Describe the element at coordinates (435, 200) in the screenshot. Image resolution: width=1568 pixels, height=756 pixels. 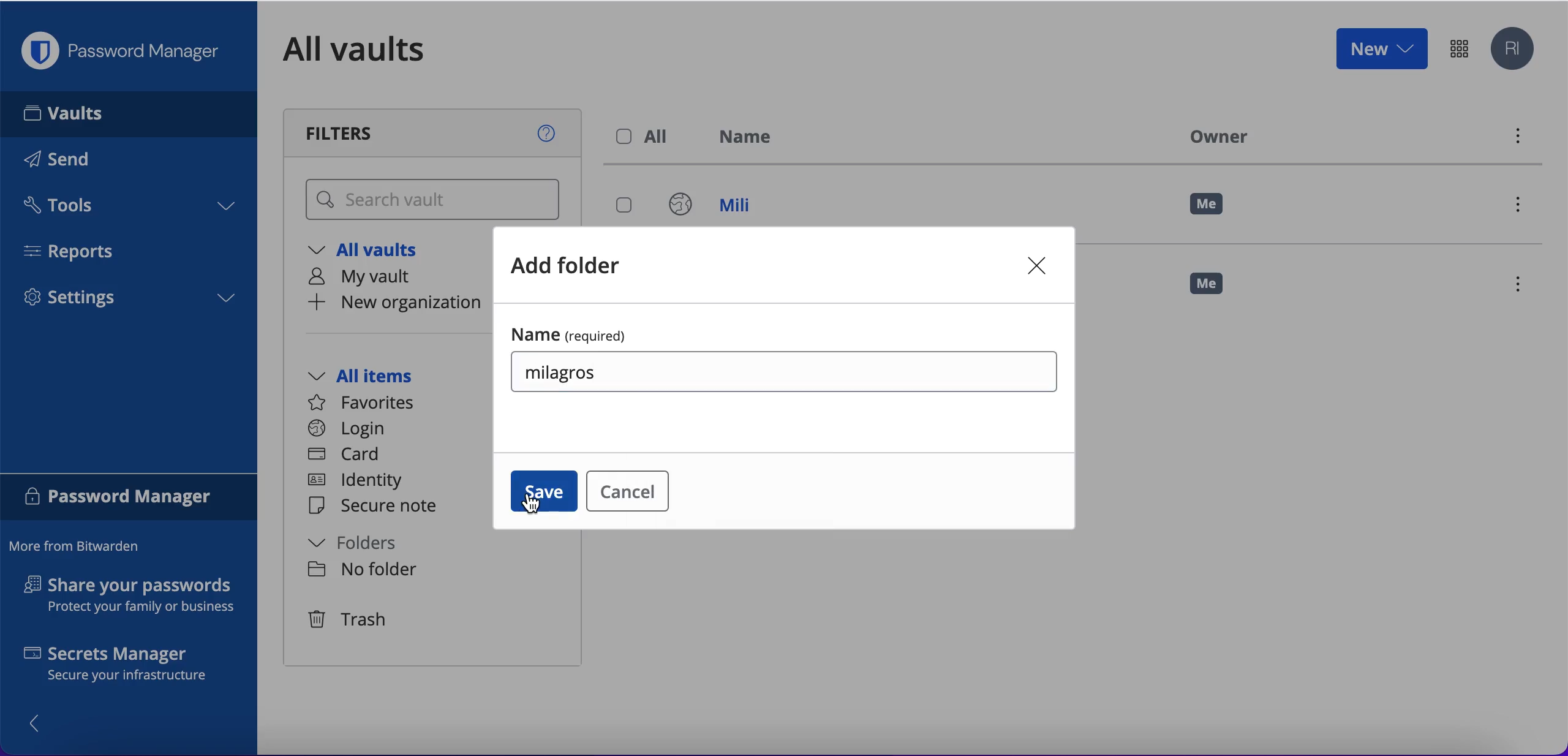
I see `search vault` at that location.